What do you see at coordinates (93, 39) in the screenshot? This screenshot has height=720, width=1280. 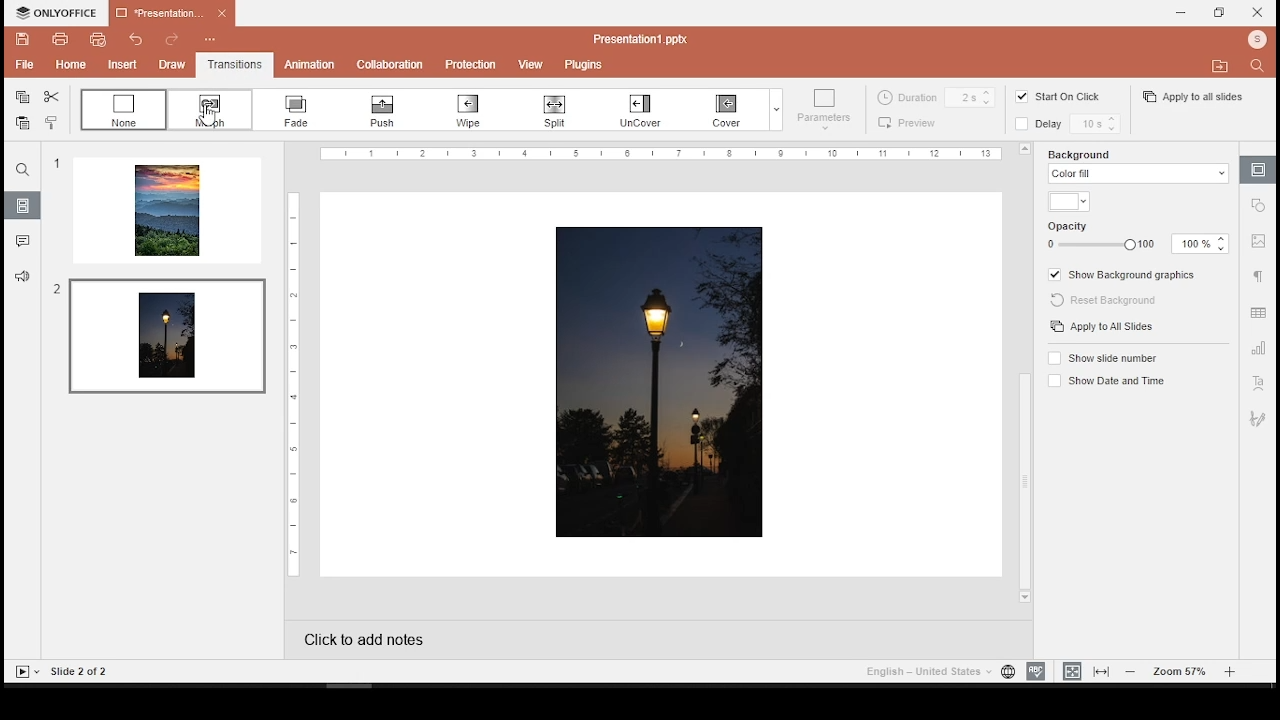 I see `quick print` at bounding box center [93, 39].